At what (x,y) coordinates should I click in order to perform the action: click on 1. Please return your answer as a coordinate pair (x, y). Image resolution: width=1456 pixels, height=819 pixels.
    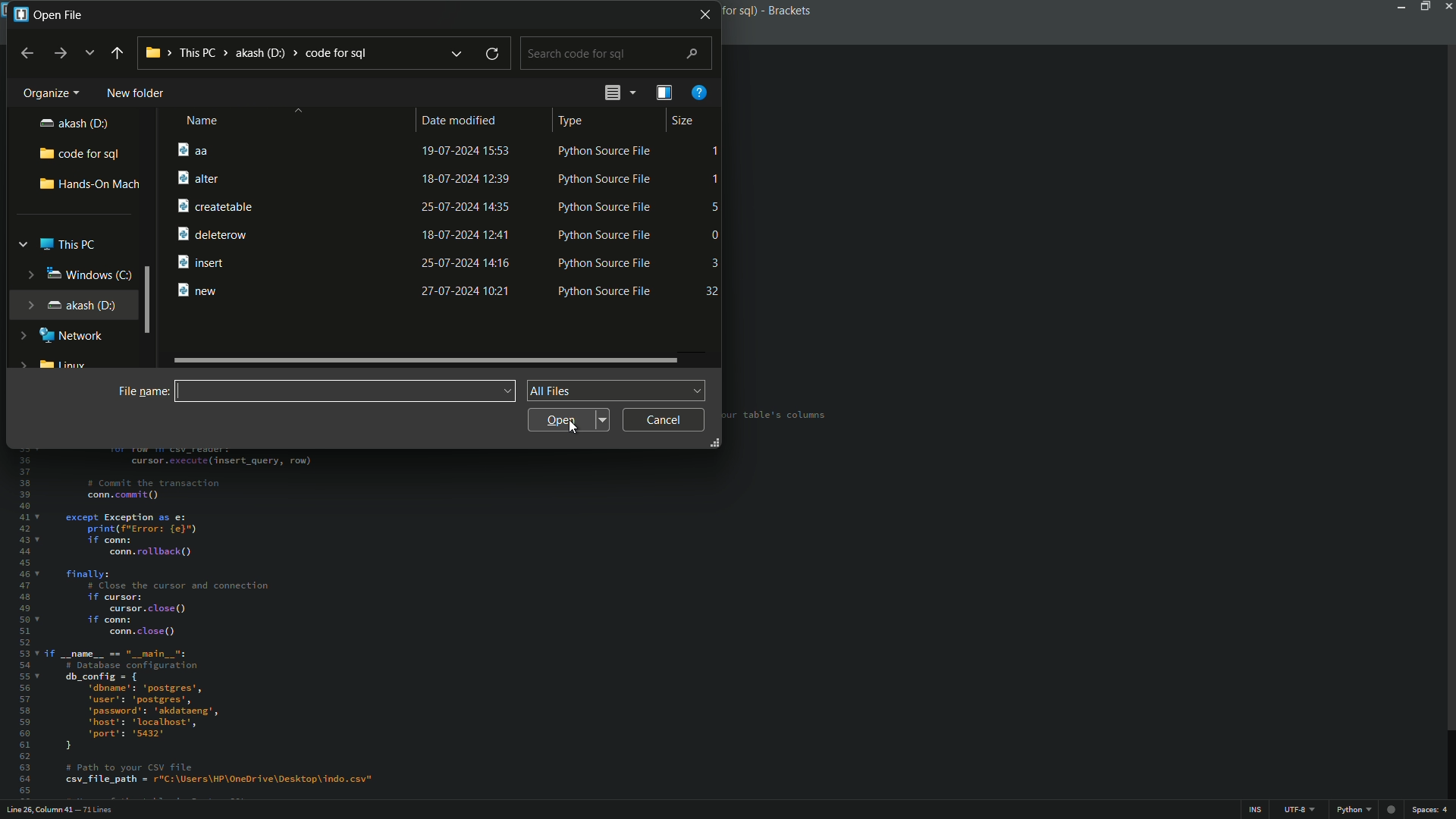
    Looking at the image, I should click on (717, 152).